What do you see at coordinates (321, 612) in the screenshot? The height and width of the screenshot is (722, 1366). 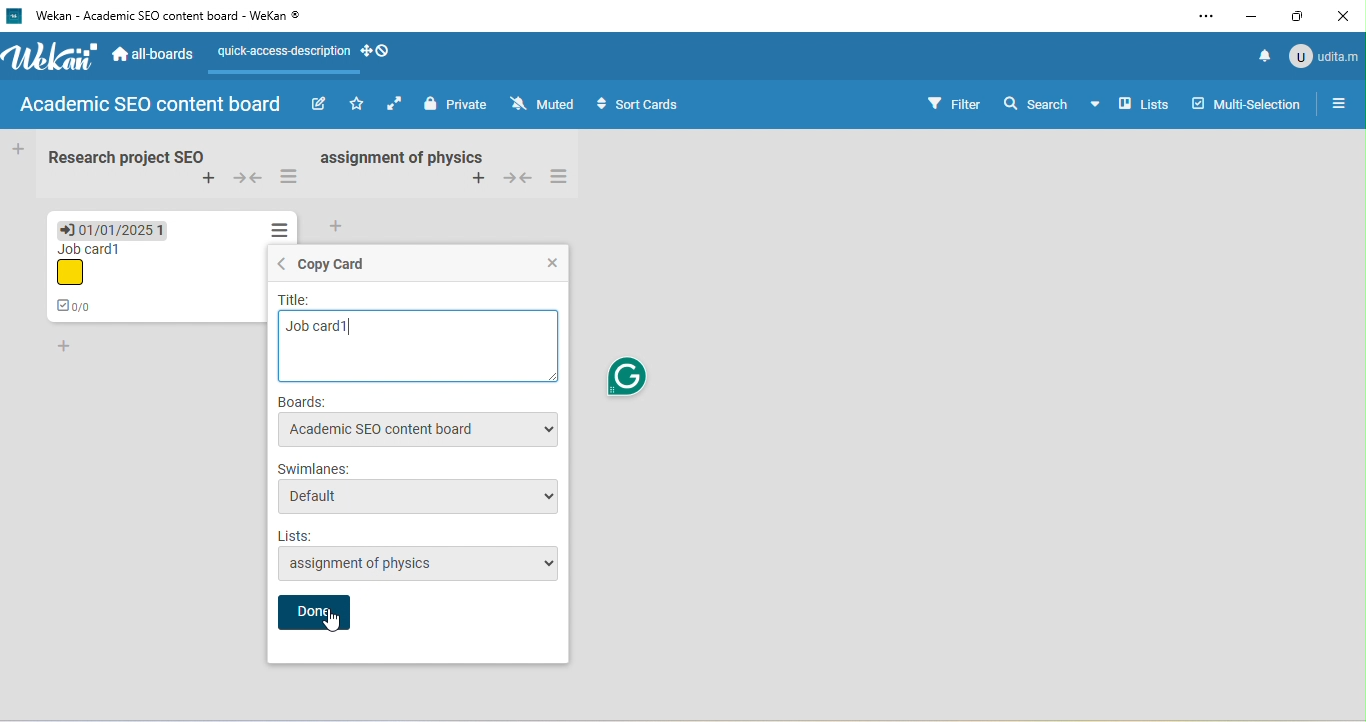 I see `done` at bounding box center [321, 612].